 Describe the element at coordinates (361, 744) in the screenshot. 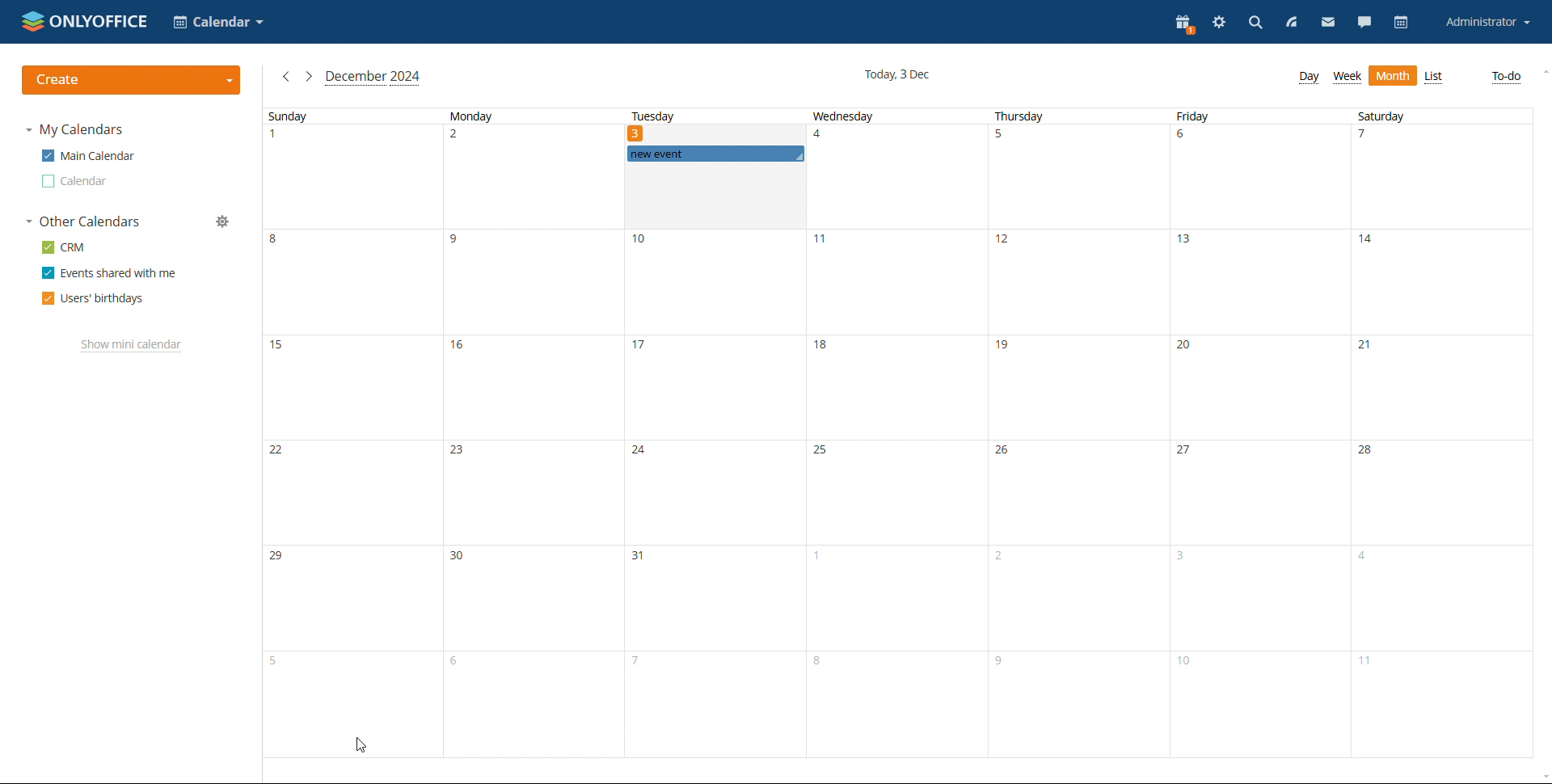

I see `cursor` at that location.